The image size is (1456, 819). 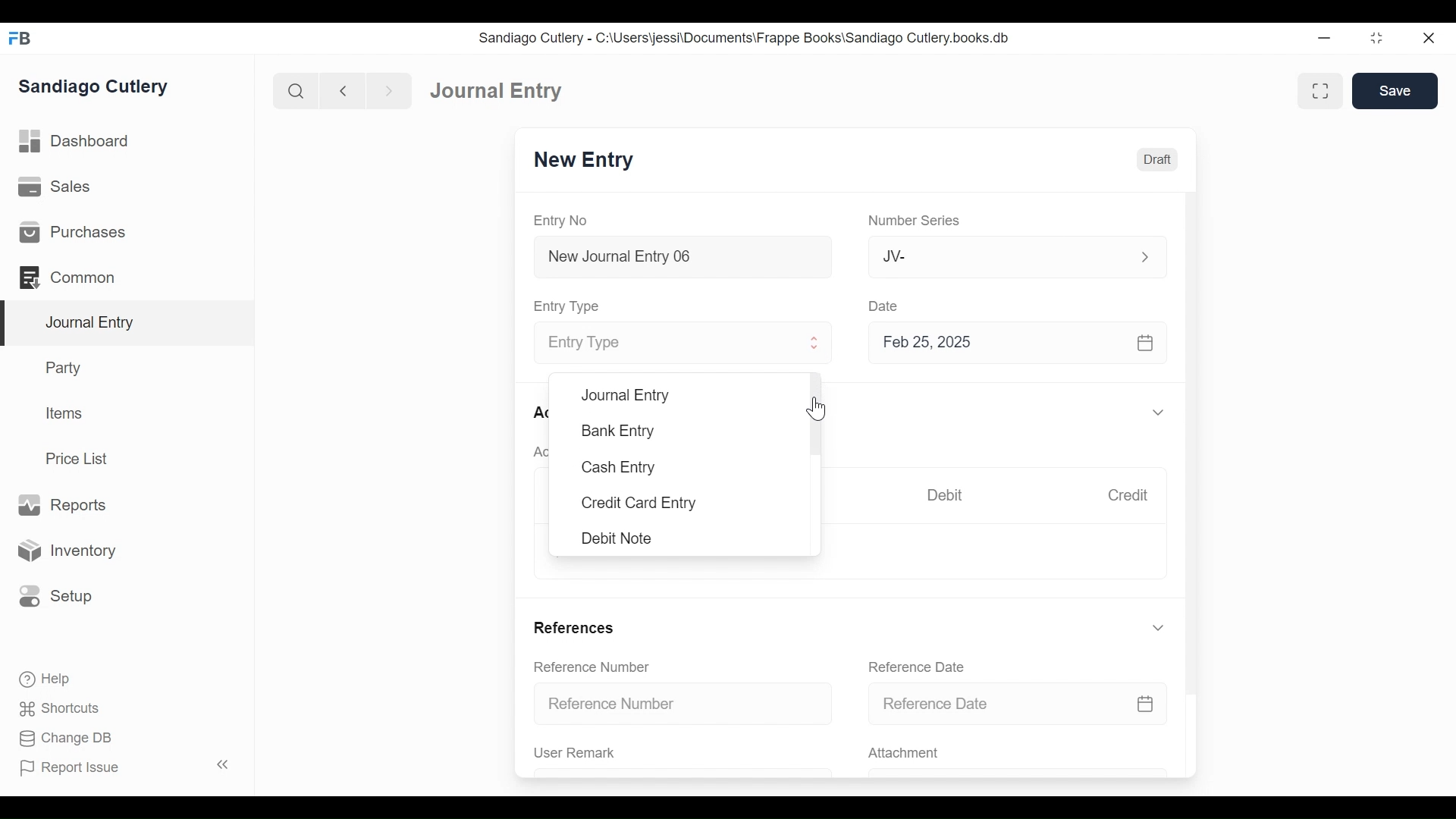 I want to click on Toggle between form and full width, so click(x=1320, y=91).